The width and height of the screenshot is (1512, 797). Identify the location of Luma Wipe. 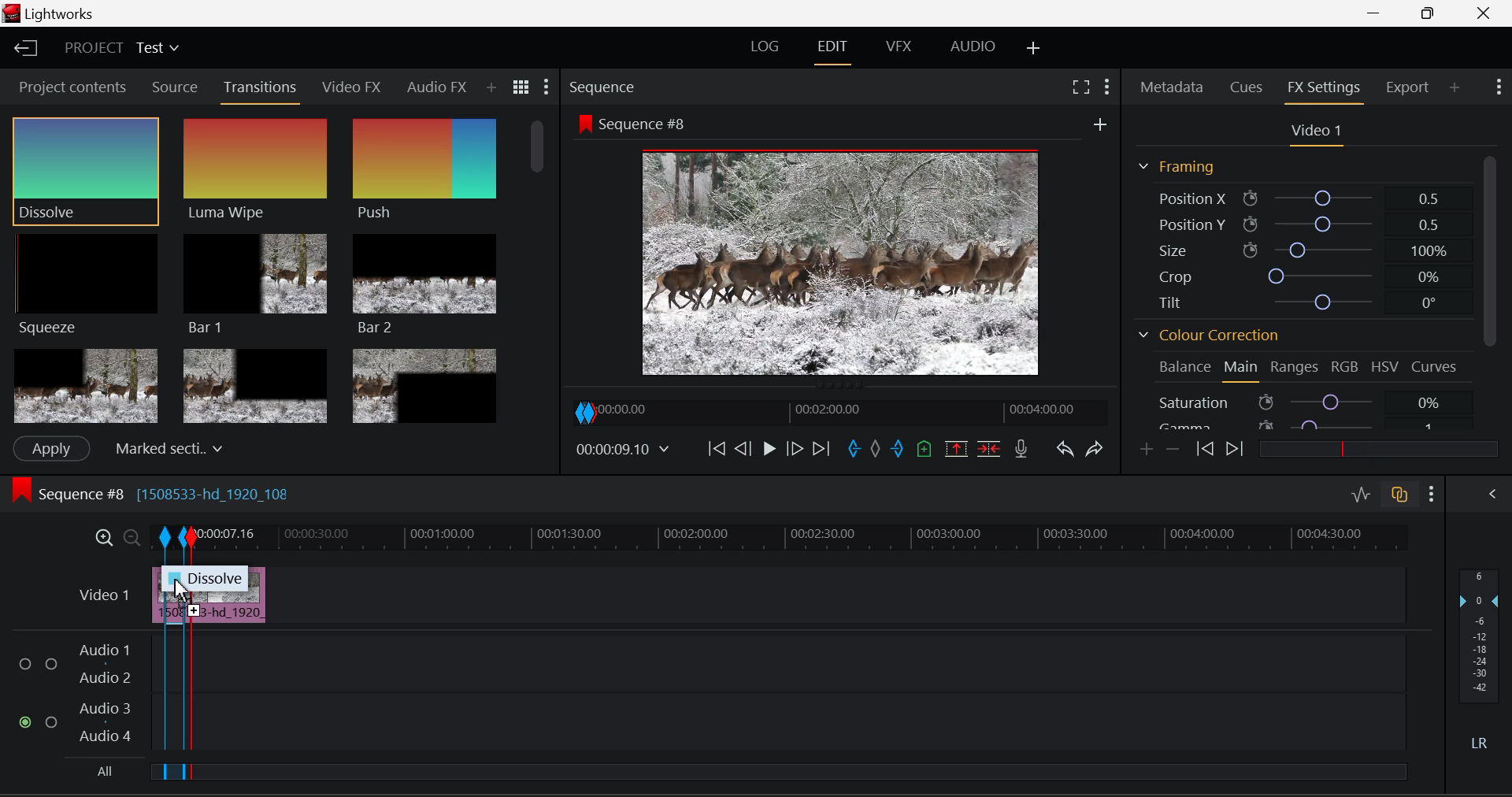
(256, 170).